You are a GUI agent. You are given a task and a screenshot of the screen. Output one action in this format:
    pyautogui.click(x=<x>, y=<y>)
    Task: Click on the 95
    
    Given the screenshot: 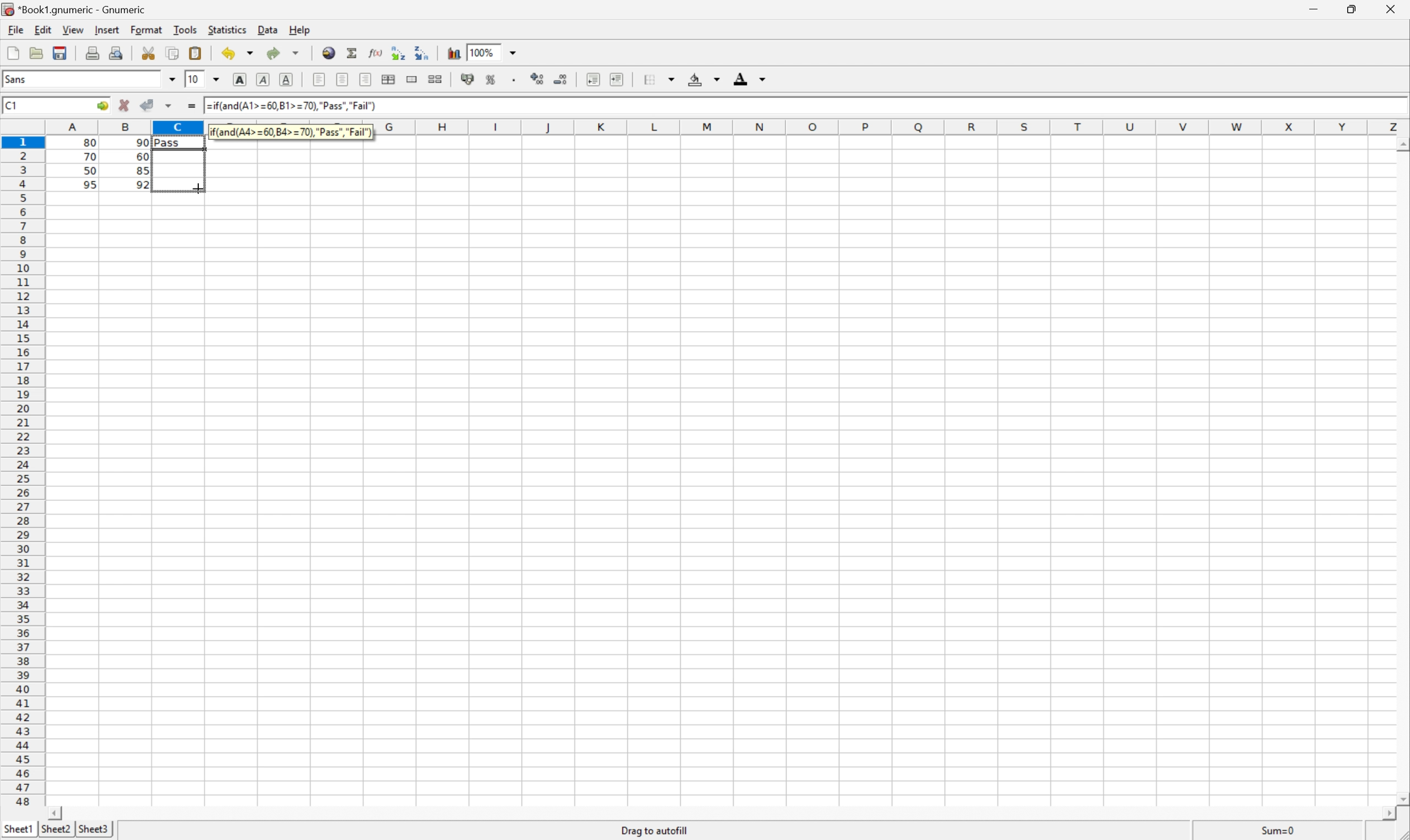 What is the action you would take?
    pyautogui.click(x=89, y=185)
    